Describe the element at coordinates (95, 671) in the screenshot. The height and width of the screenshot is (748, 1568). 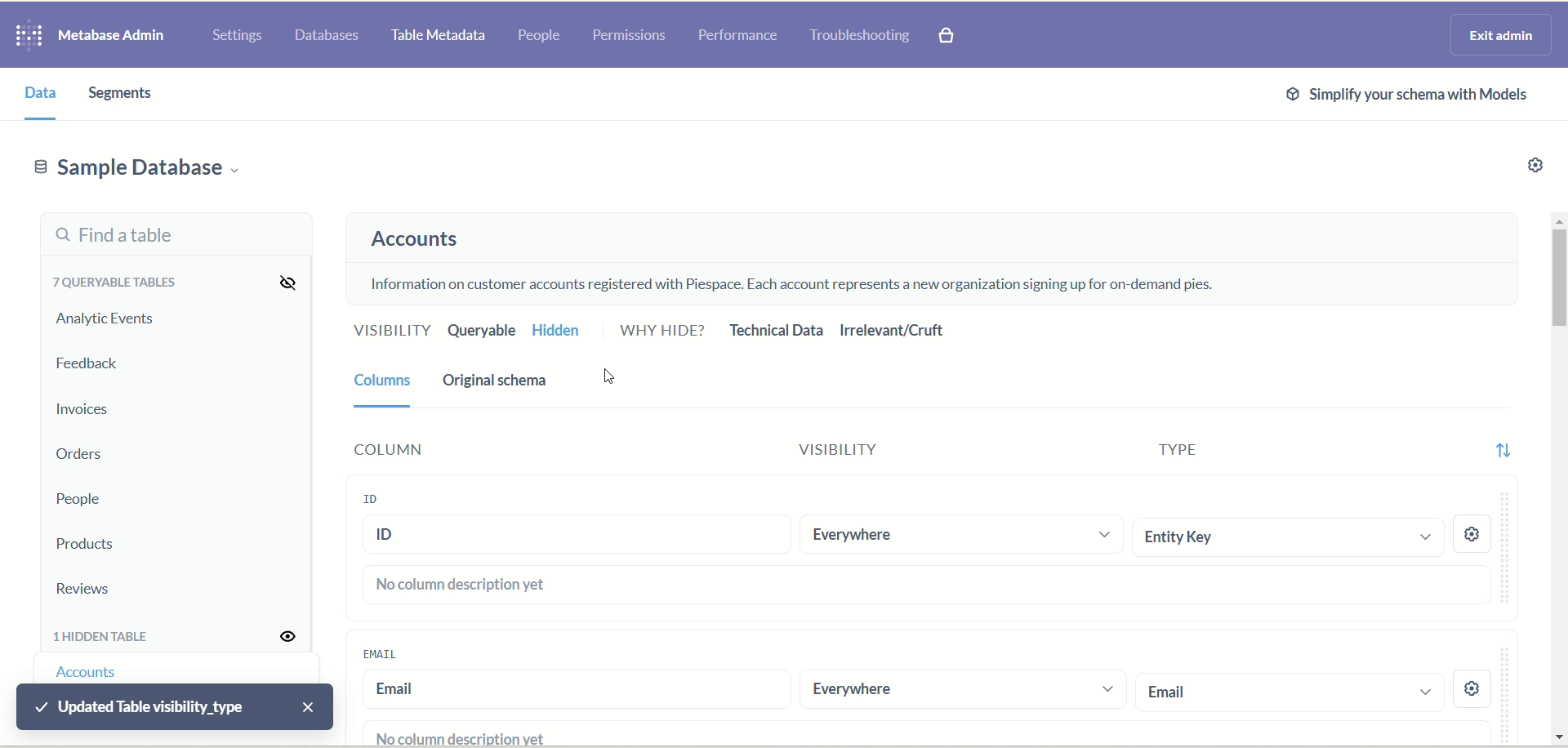
I see `account` at that location.